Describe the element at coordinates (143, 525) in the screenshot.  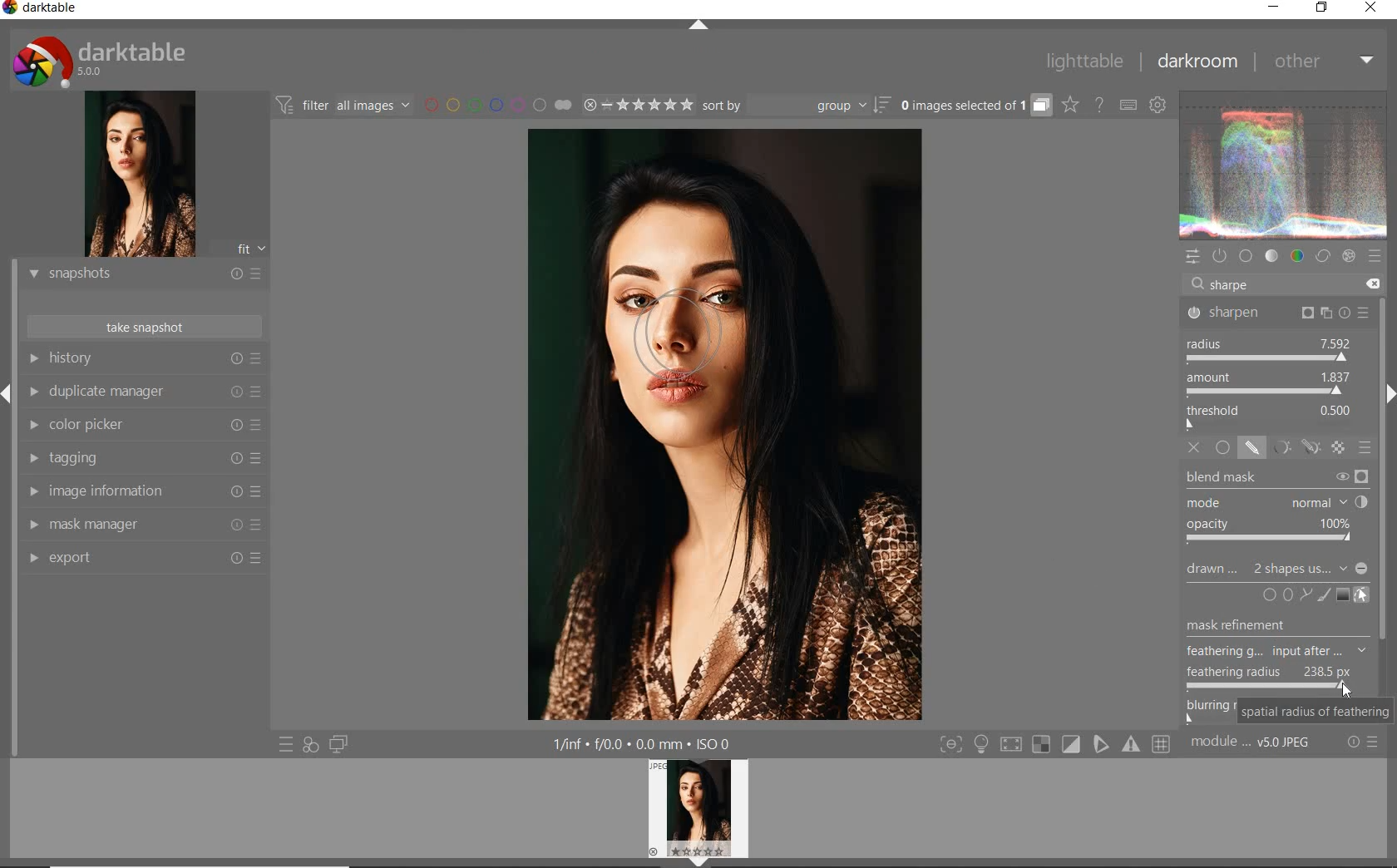
I see `MAASK MANAGER` at that location.